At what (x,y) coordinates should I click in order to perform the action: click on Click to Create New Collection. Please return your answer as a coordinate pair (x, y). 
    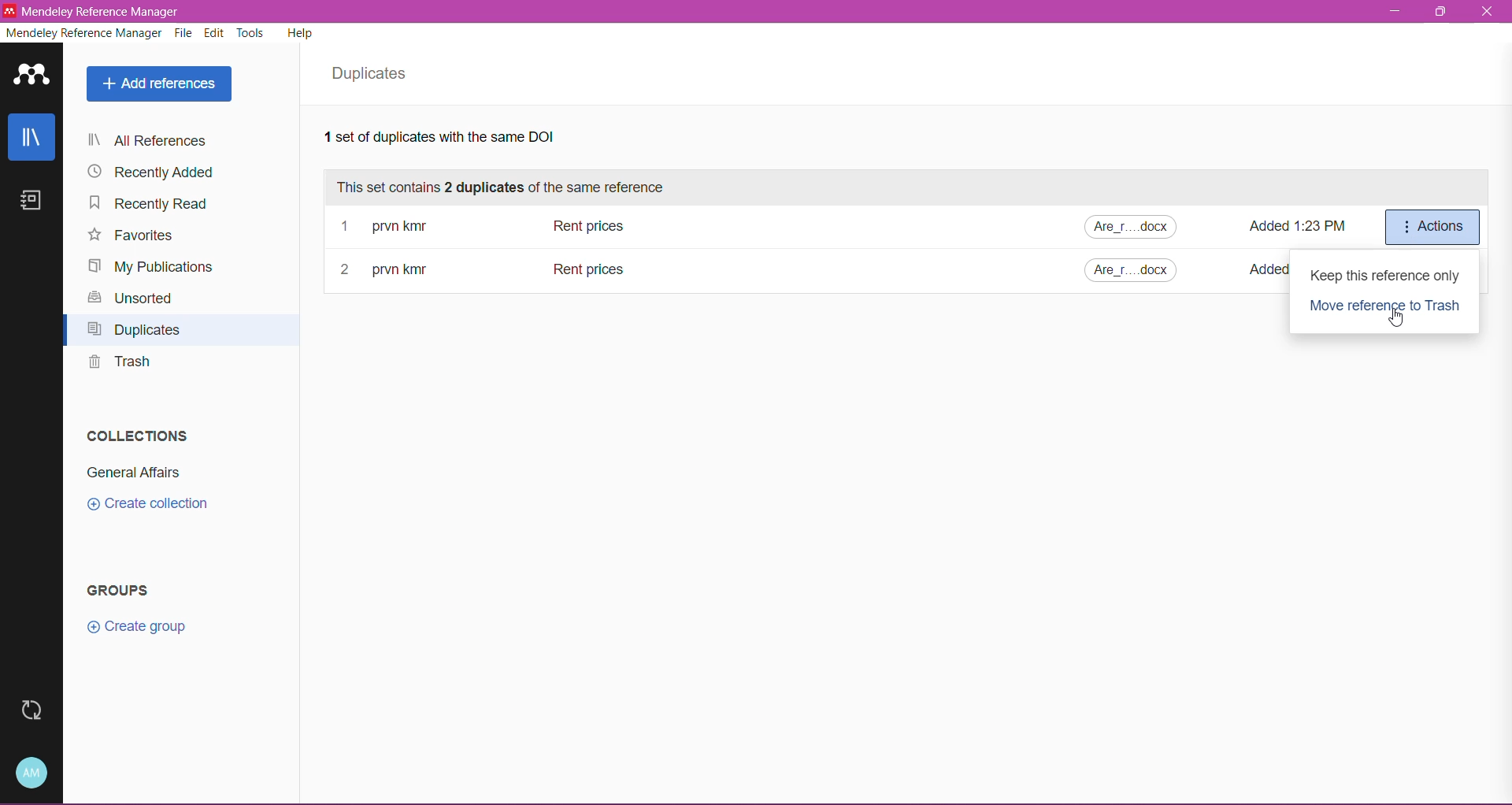
    Looking at the image, I should click on (158, 505).